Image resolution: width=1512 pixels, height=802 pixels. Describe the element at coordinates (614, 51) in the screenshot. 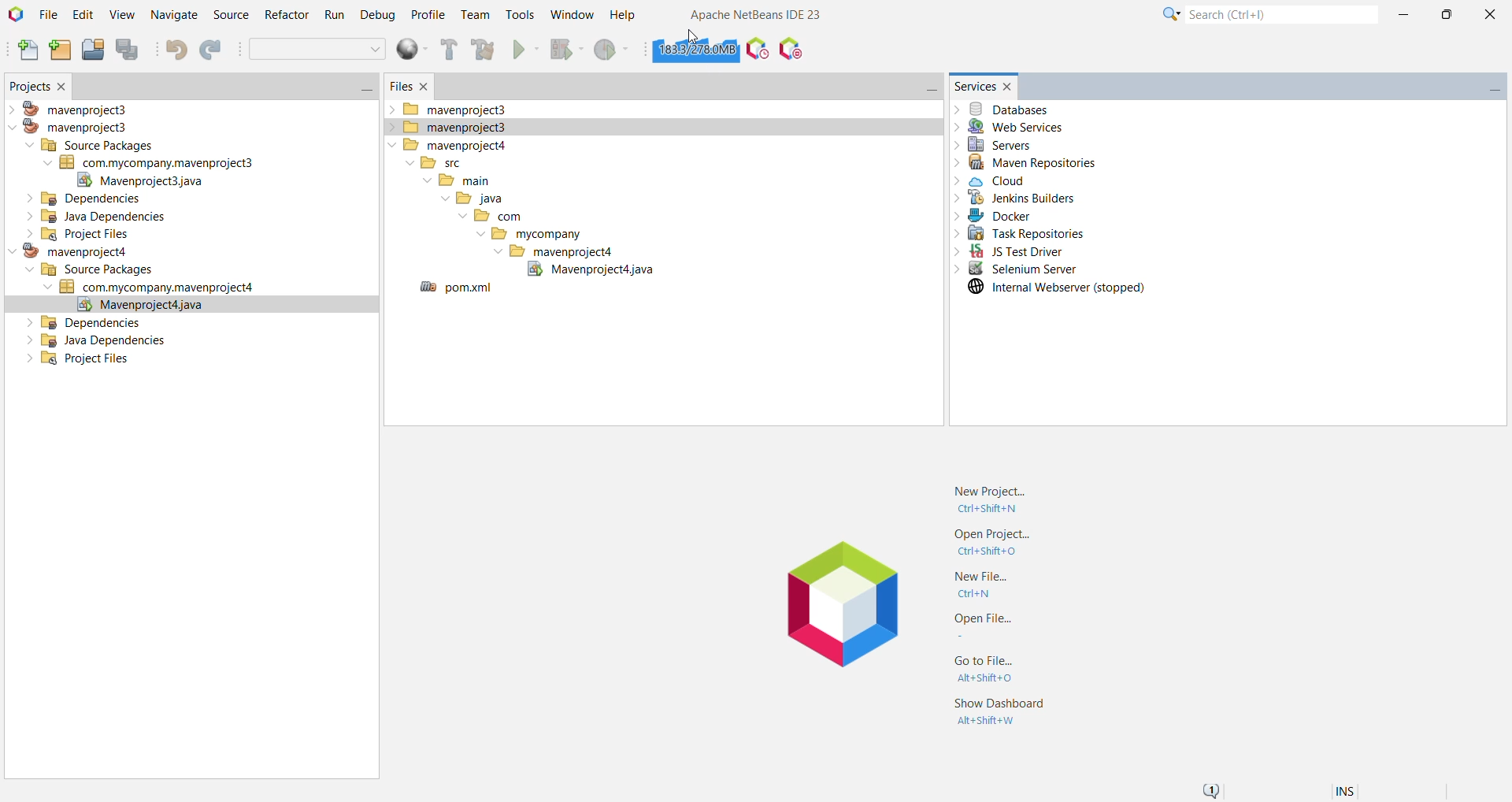

I see `Profile Project` at that location.